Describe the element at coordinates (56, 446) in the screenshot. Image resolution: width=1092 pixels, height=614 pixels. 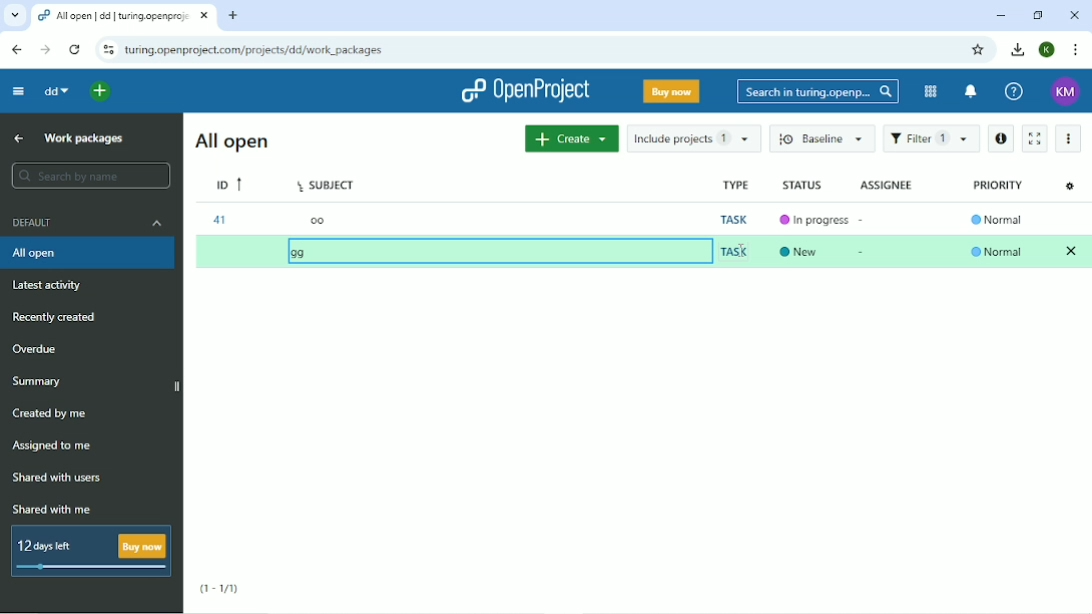
I see `Assigned to me` at that location.